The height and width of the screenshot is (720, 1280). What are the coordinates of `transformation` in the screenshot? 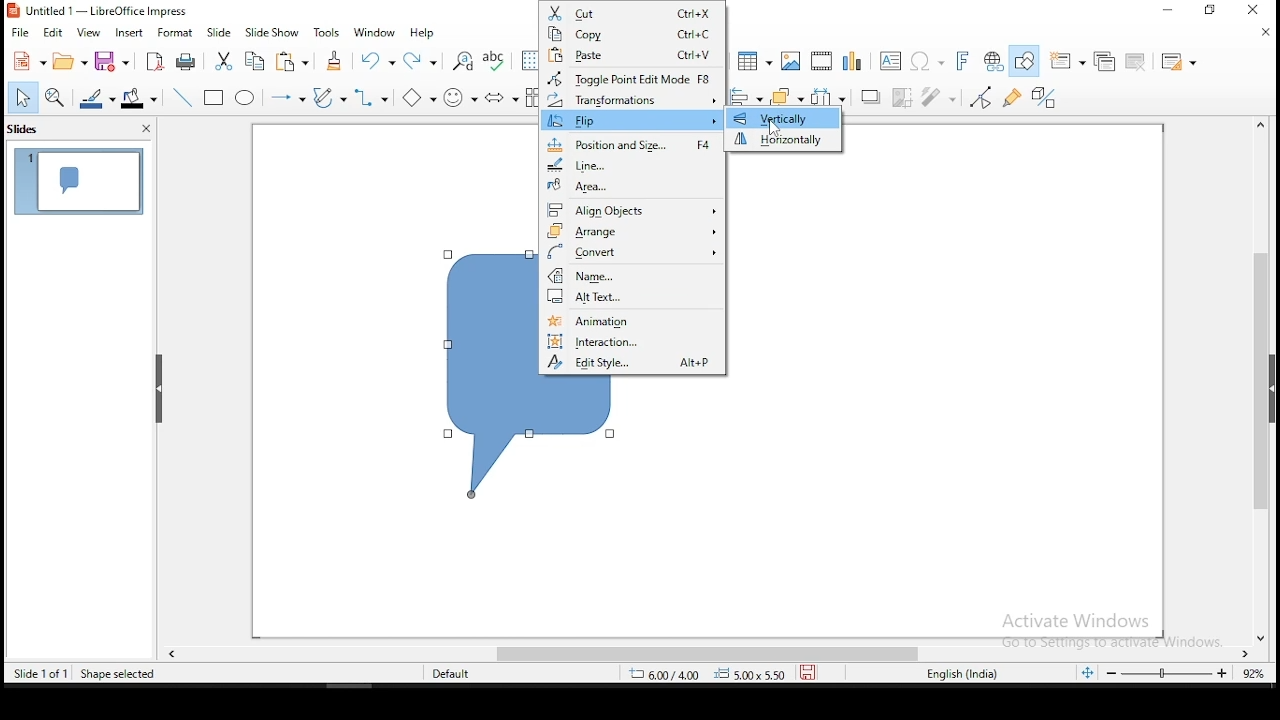 It's located at (630, 100).